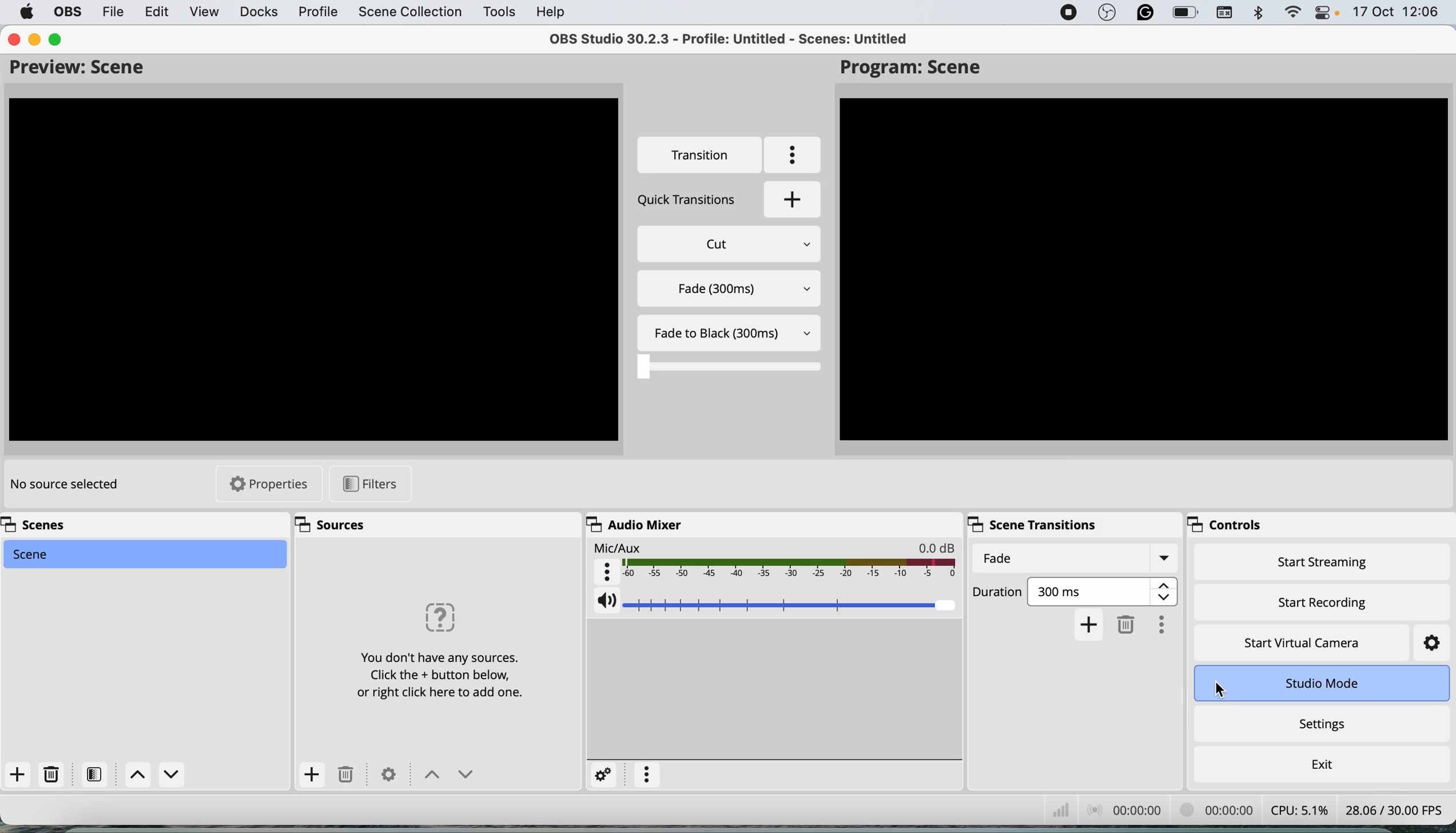  I want to click on audio mixer, so click(636, 523).